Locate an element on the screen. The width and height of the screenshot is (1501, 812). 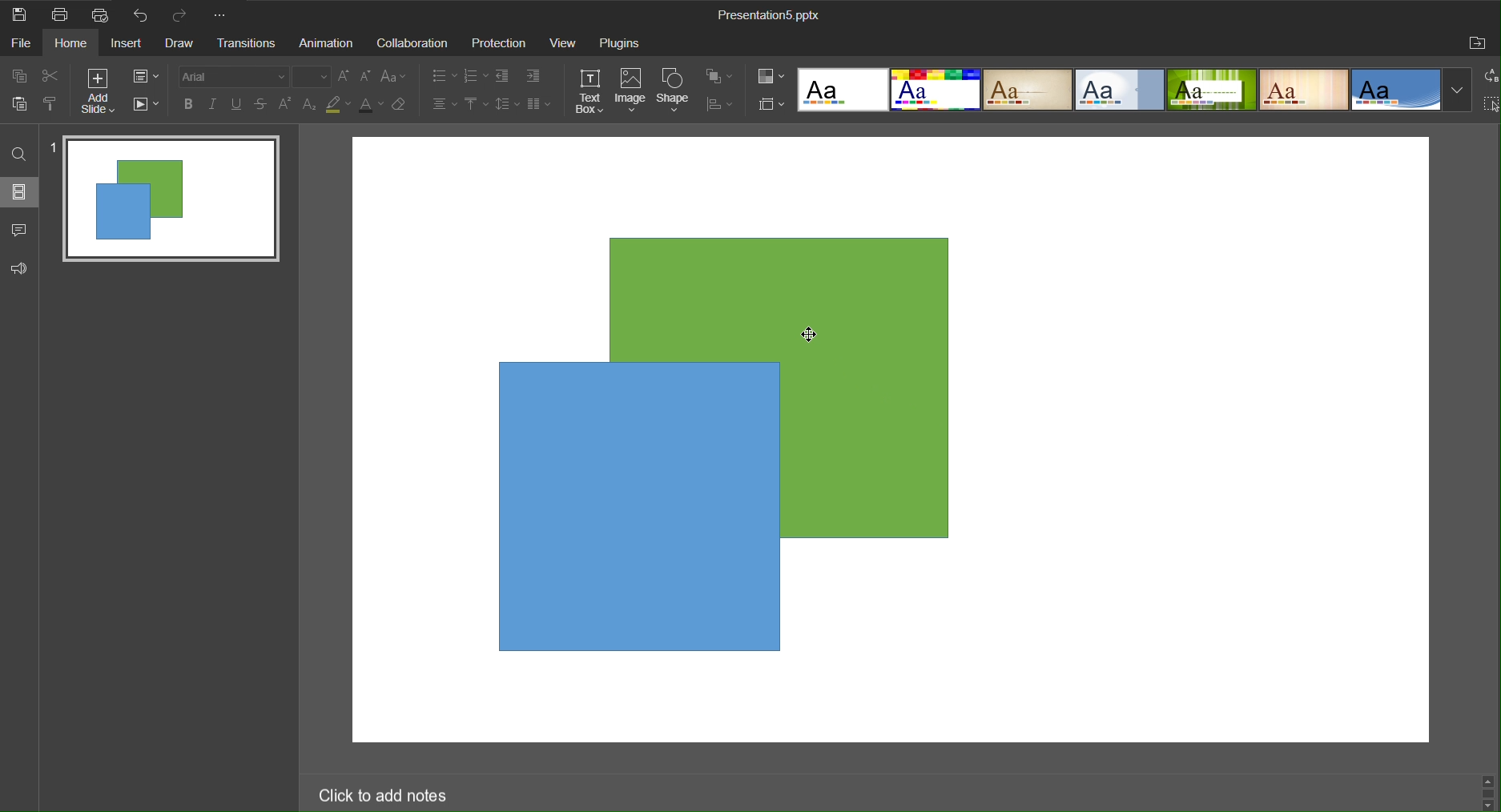
Bold is located at coordinates (187, 105).